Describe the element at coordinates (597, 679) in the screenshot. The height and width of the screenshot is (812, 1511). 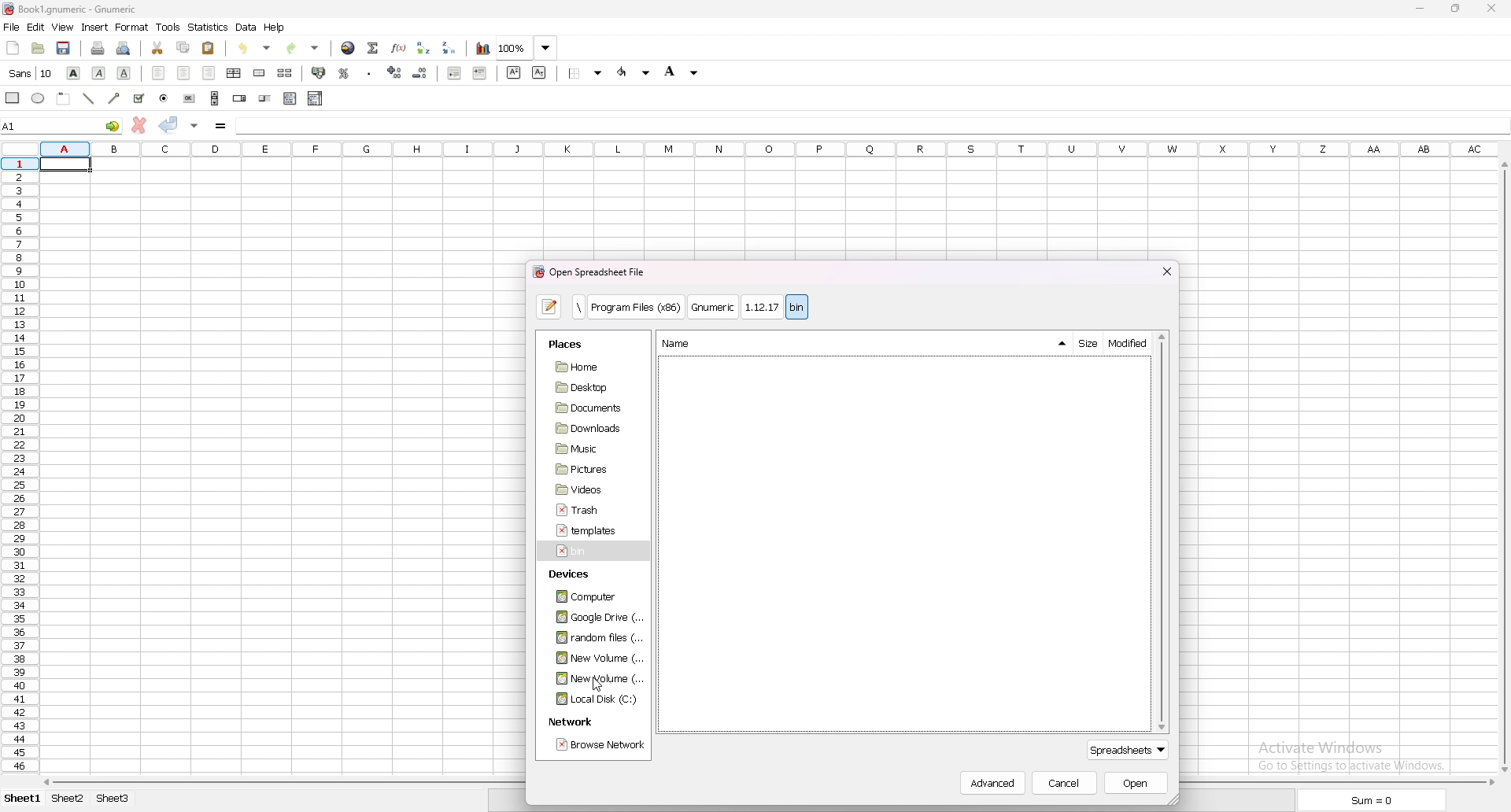
I see `new volume` at that location.